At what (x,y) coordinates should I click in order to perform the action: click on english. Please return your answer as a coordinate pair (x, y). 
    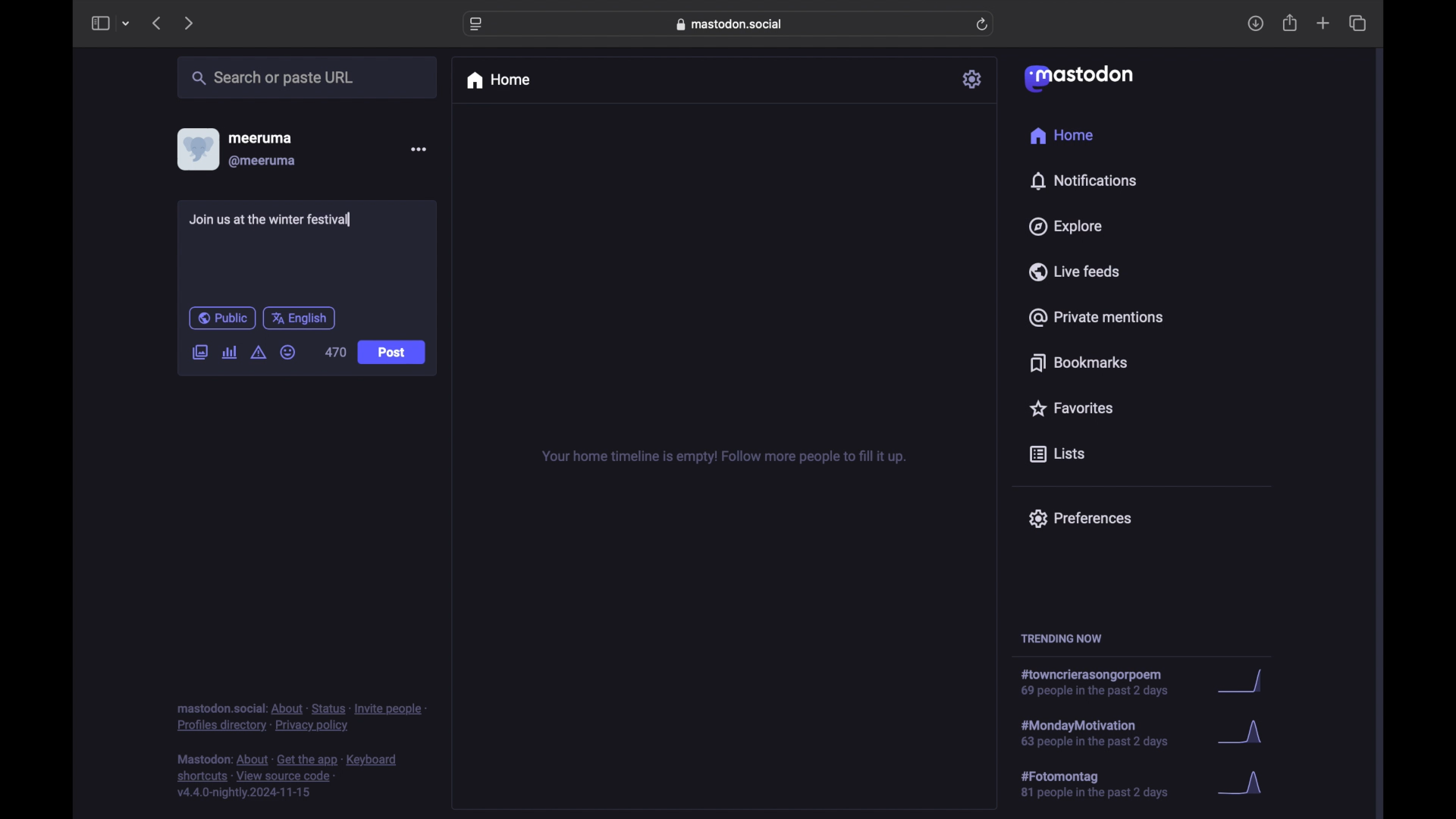
    Looking at the image, I should click on (300, 318).